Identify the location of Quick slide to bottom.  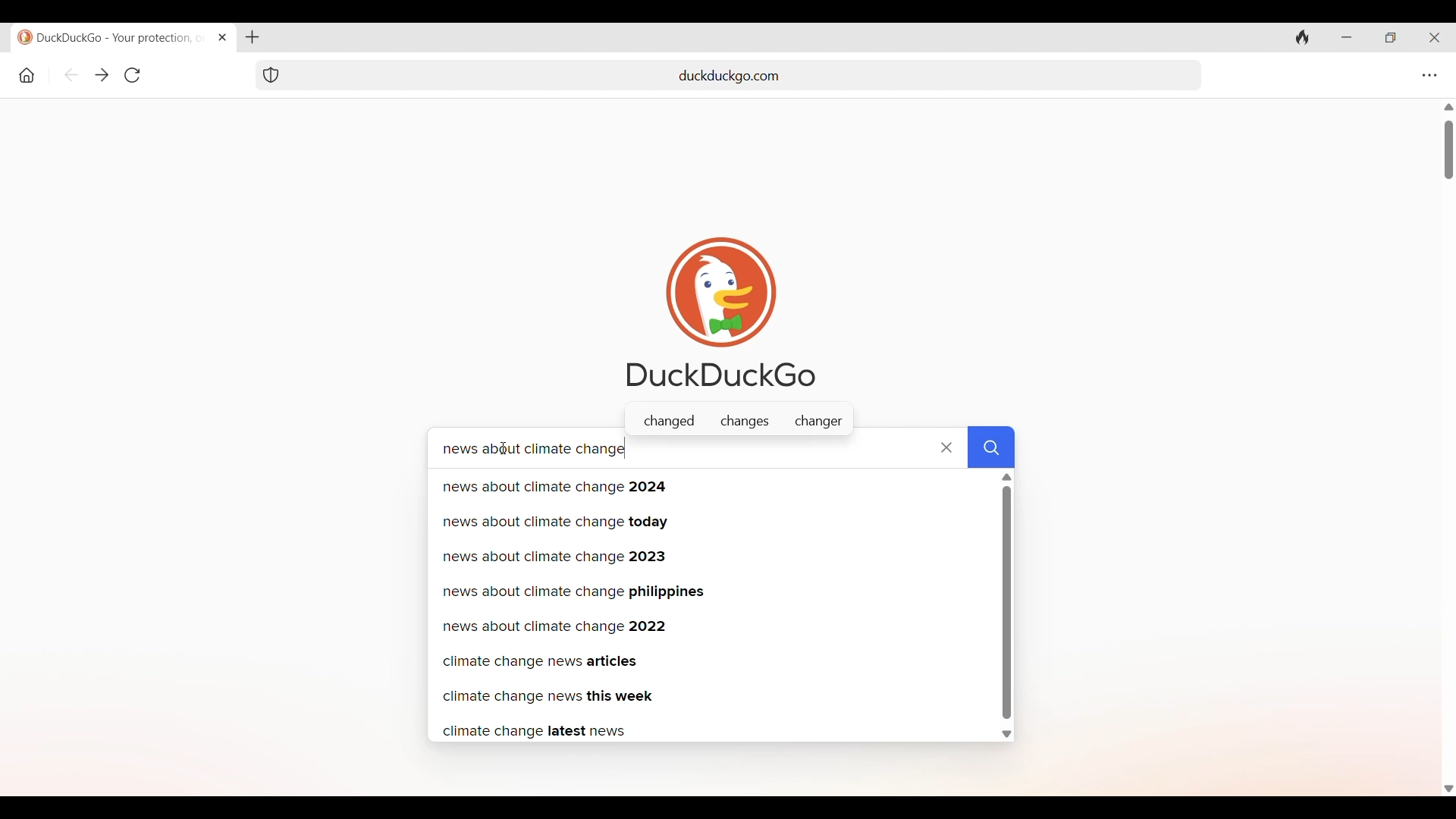
(1006, 734).